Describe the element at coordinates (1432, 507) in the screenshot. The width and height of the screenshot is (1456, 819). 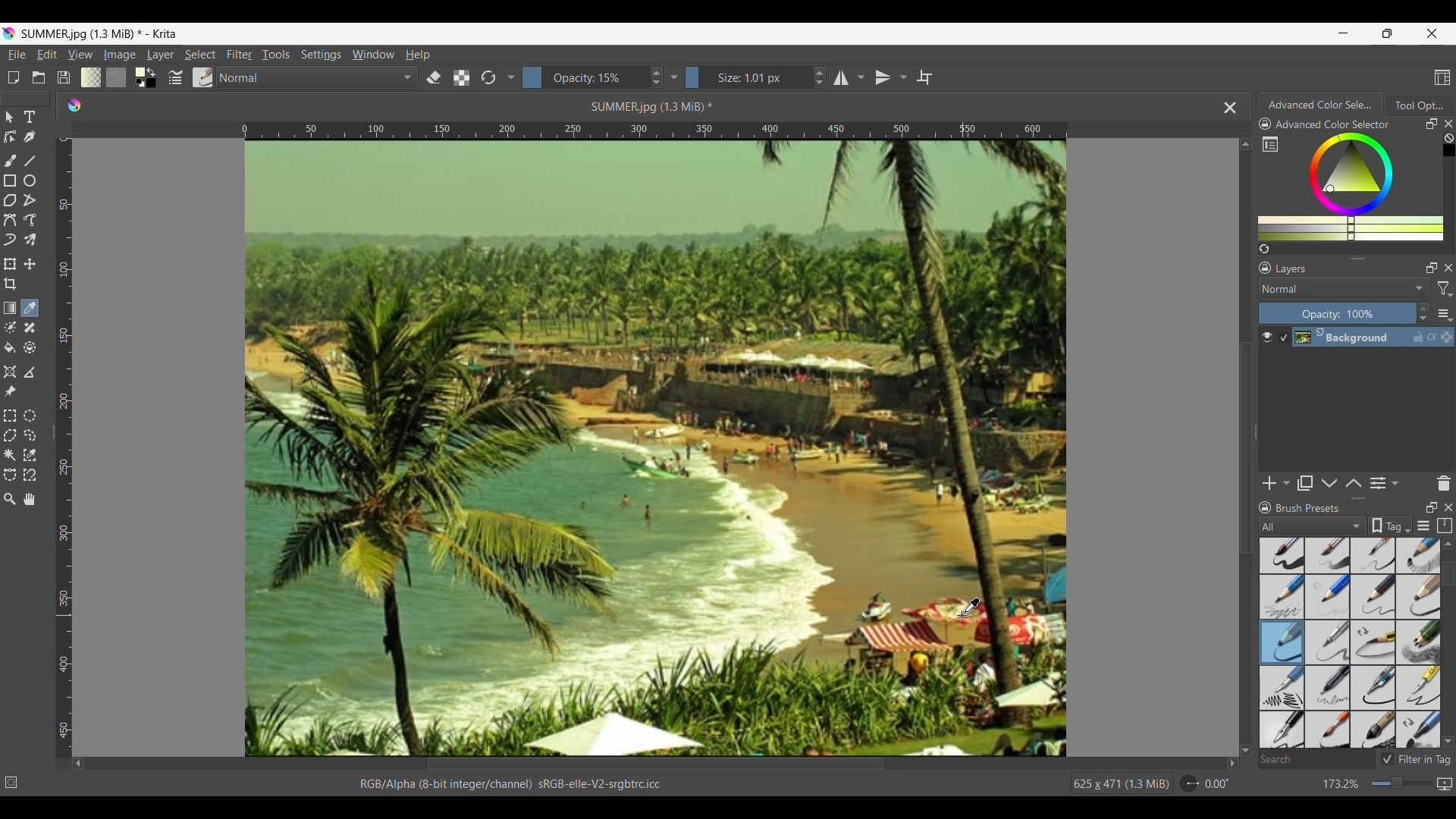
I see `Float` at that location.